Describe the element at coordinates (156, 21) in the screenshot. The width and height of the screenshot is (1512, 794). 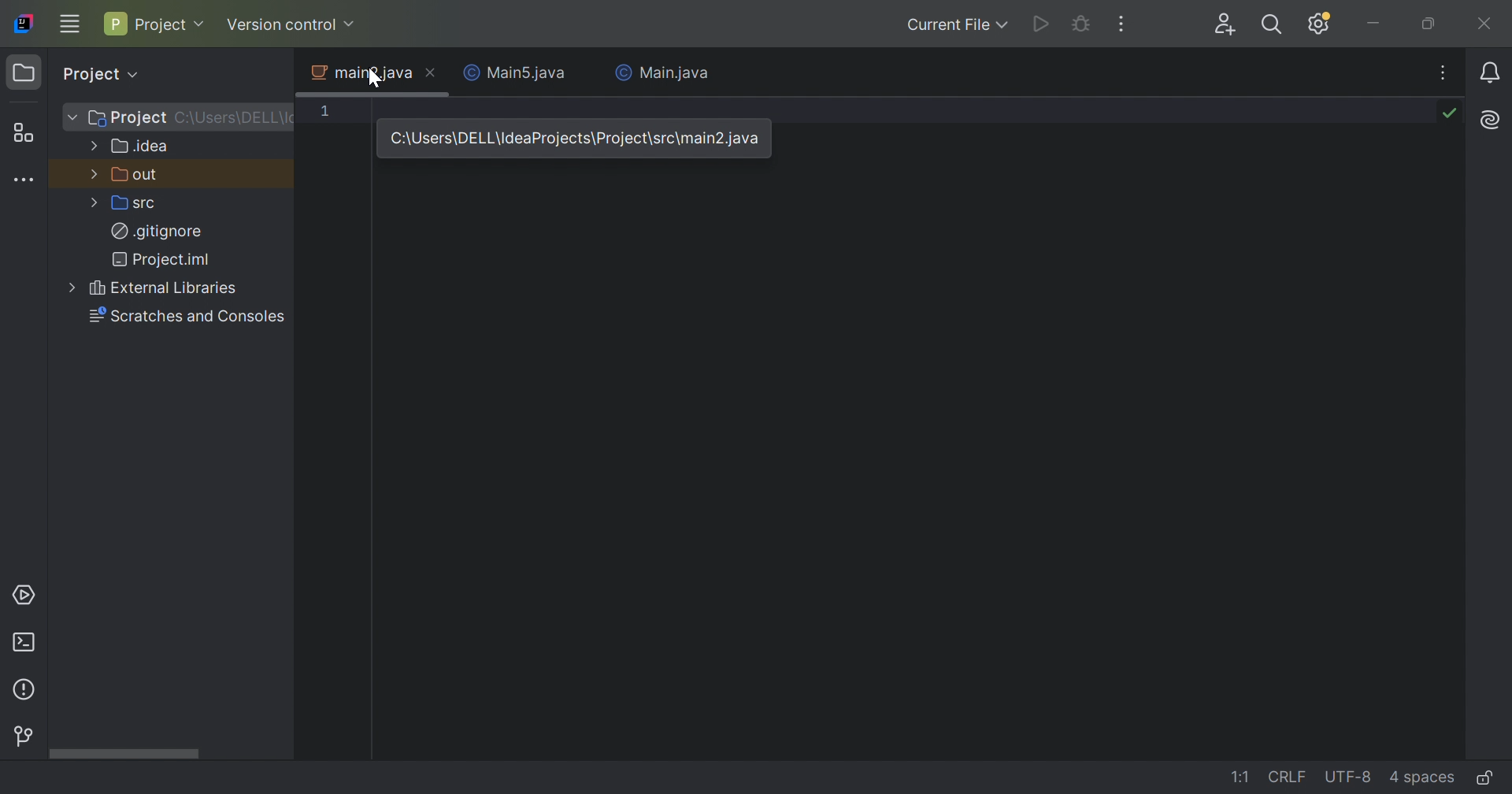
I see `Project` at that location.